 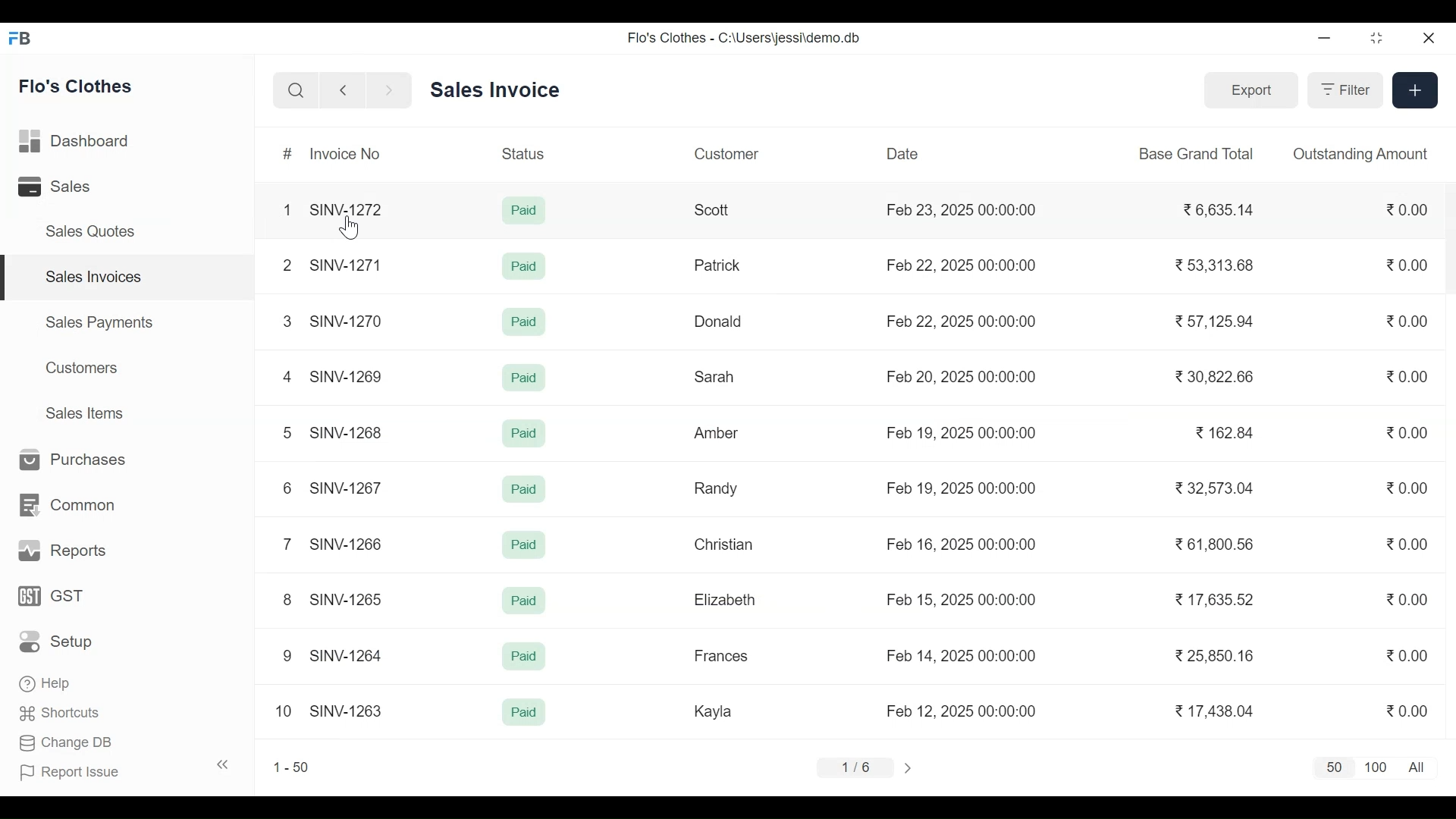 What do you see at coordinates (1409, 655) in the screenshot?
I see `0.00` at bounding box center [1409, 655].